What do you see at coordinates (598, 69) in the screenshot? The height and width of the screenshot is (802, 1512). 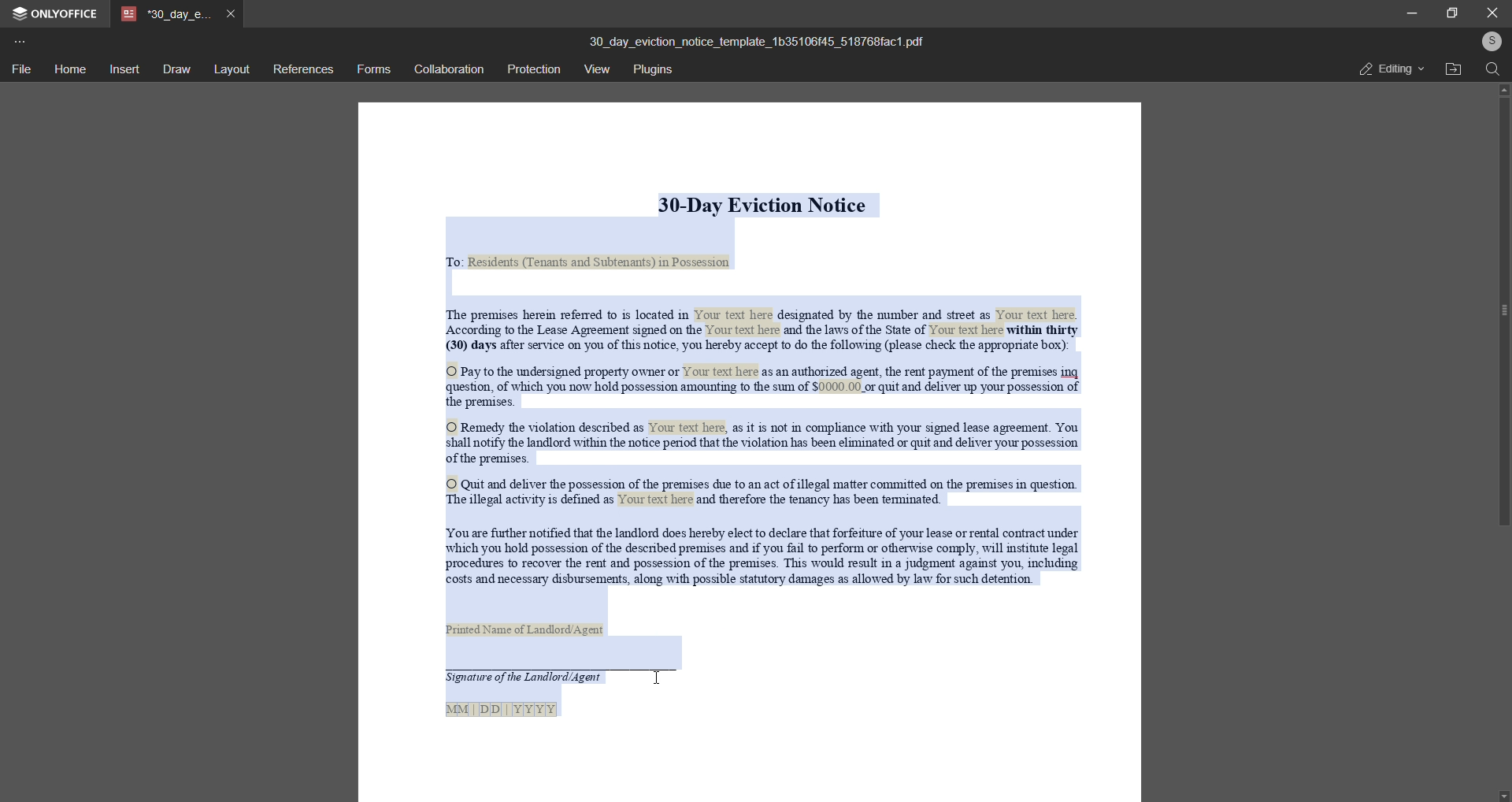 I see `view` at bounding box center [598, 69].